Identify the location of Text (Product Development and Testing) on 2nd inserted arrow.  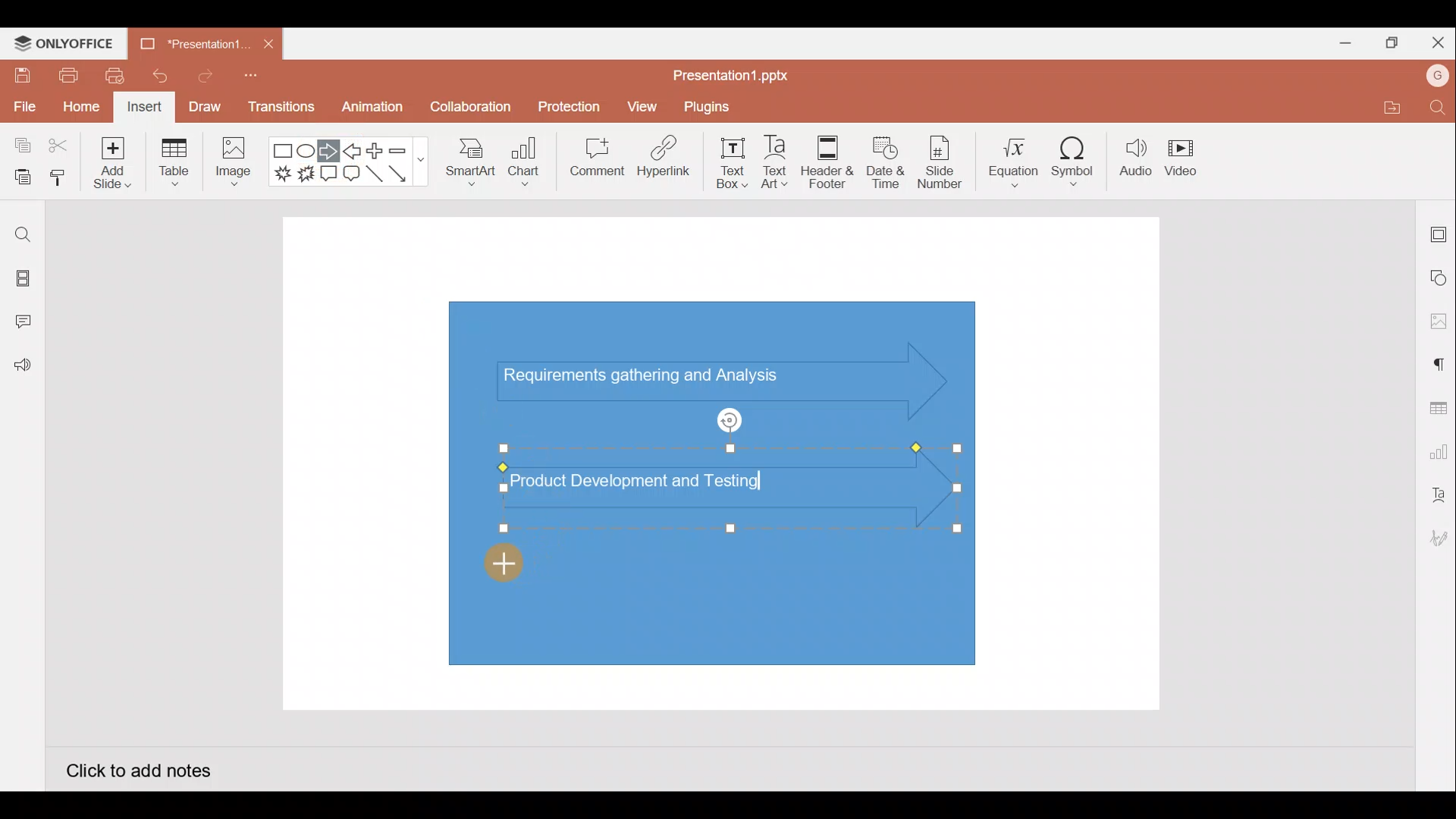
(651, 479).